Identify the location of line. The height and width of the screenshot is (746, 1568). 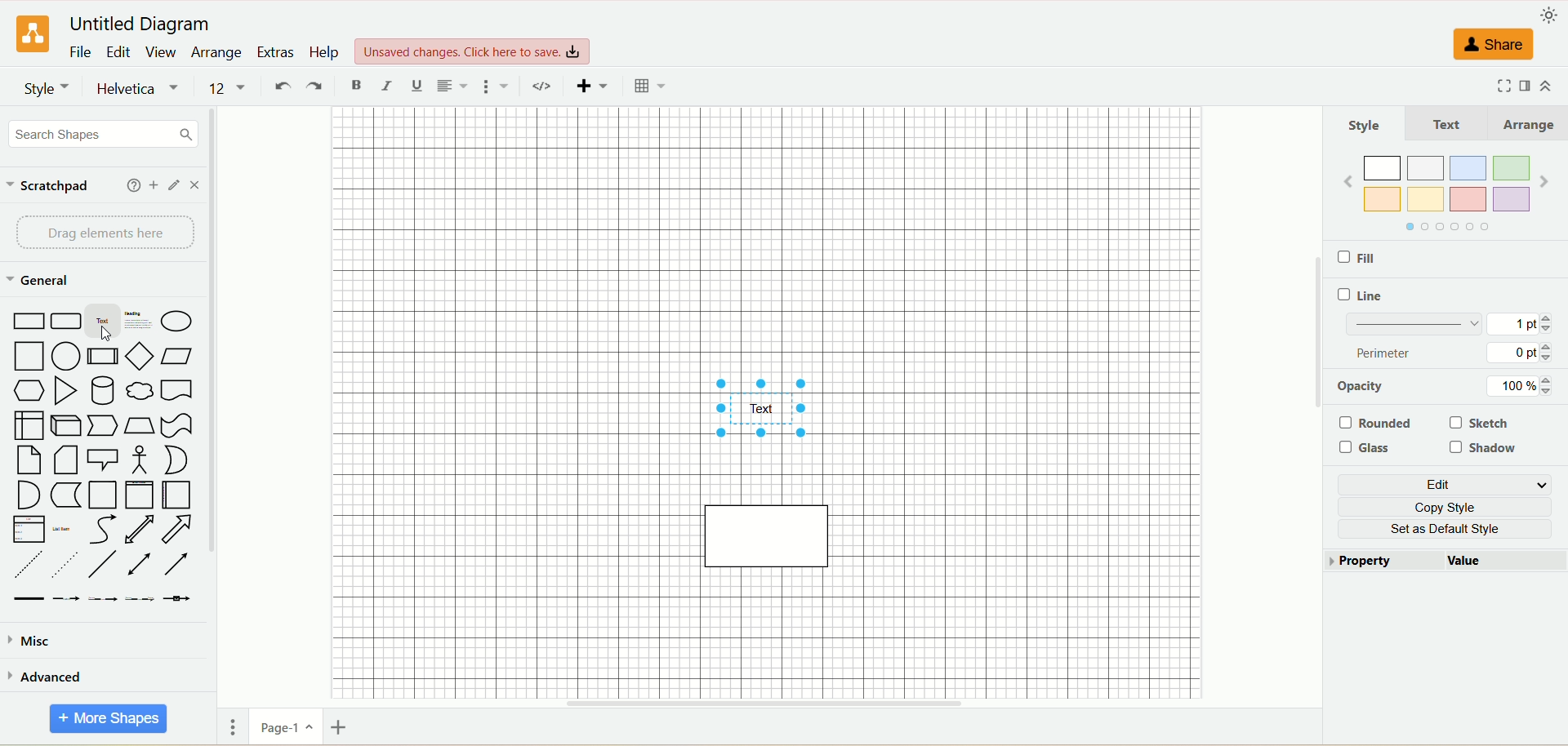
(1365, 297).